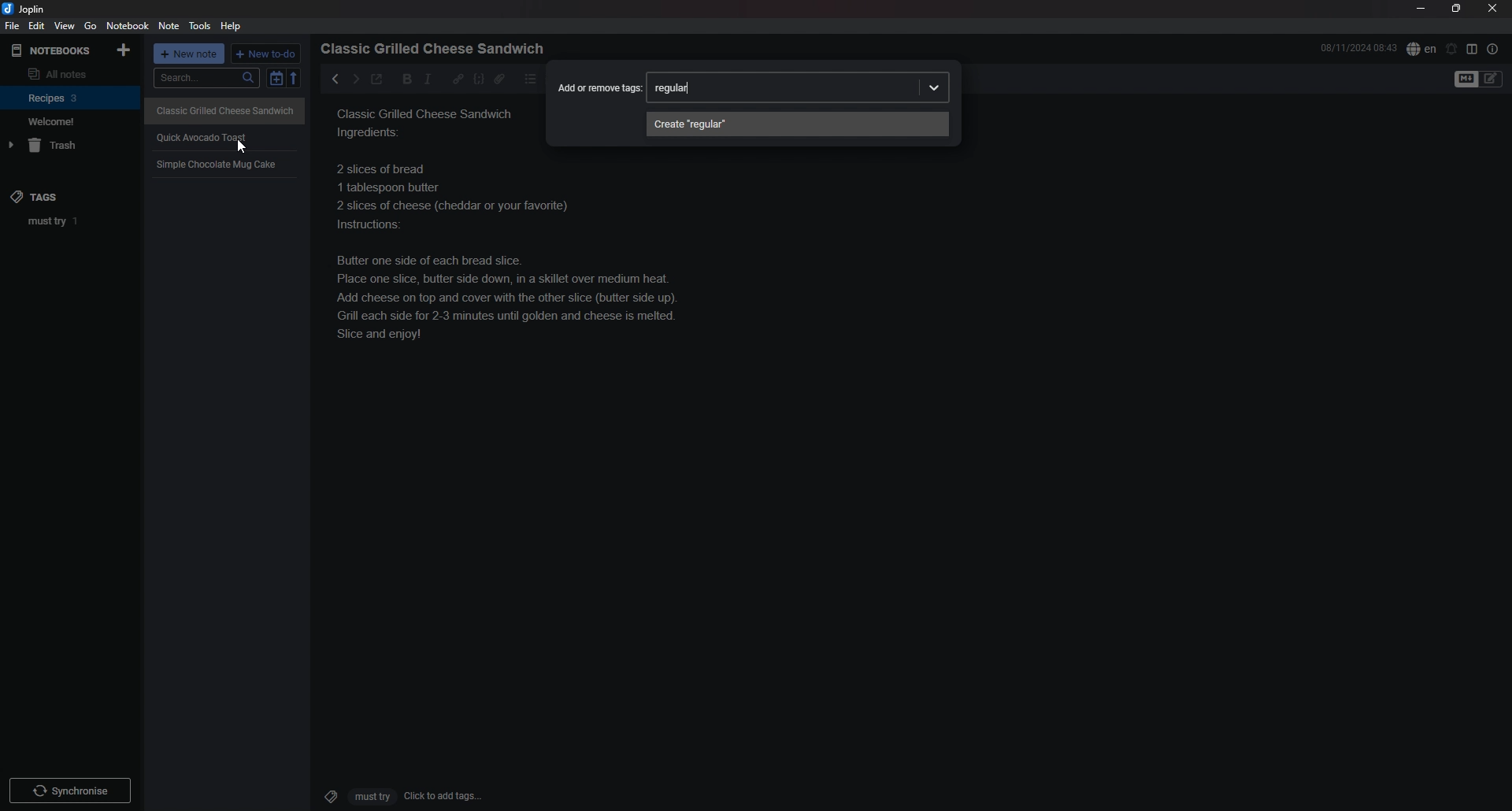 The height and width of the screenshot is (811, 1512). I want to click on cursor, so click(246, 148).